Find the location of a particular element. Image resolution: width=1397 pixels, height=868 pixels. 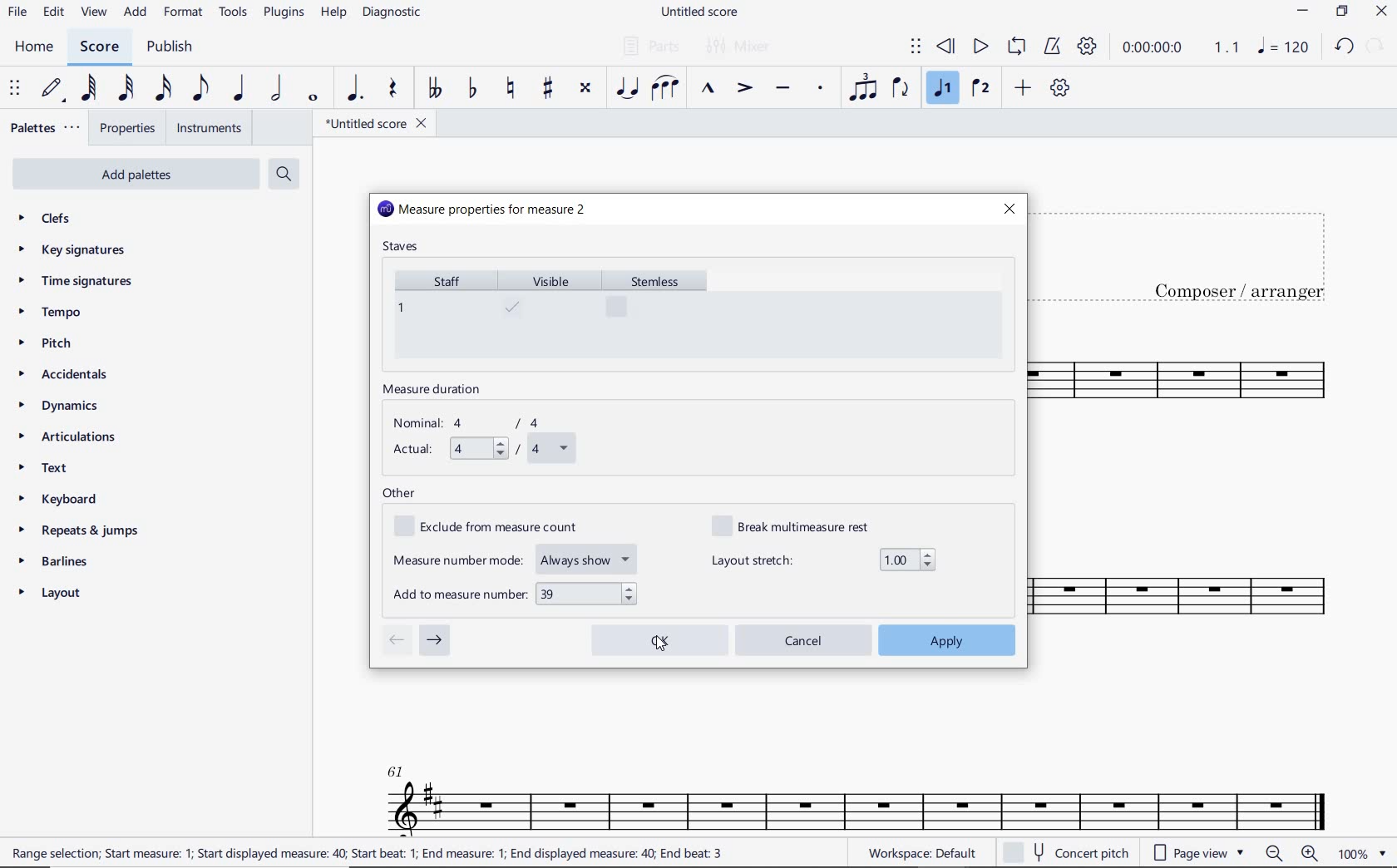

SEARCH PALETTES is located at coordinates (286, 175).